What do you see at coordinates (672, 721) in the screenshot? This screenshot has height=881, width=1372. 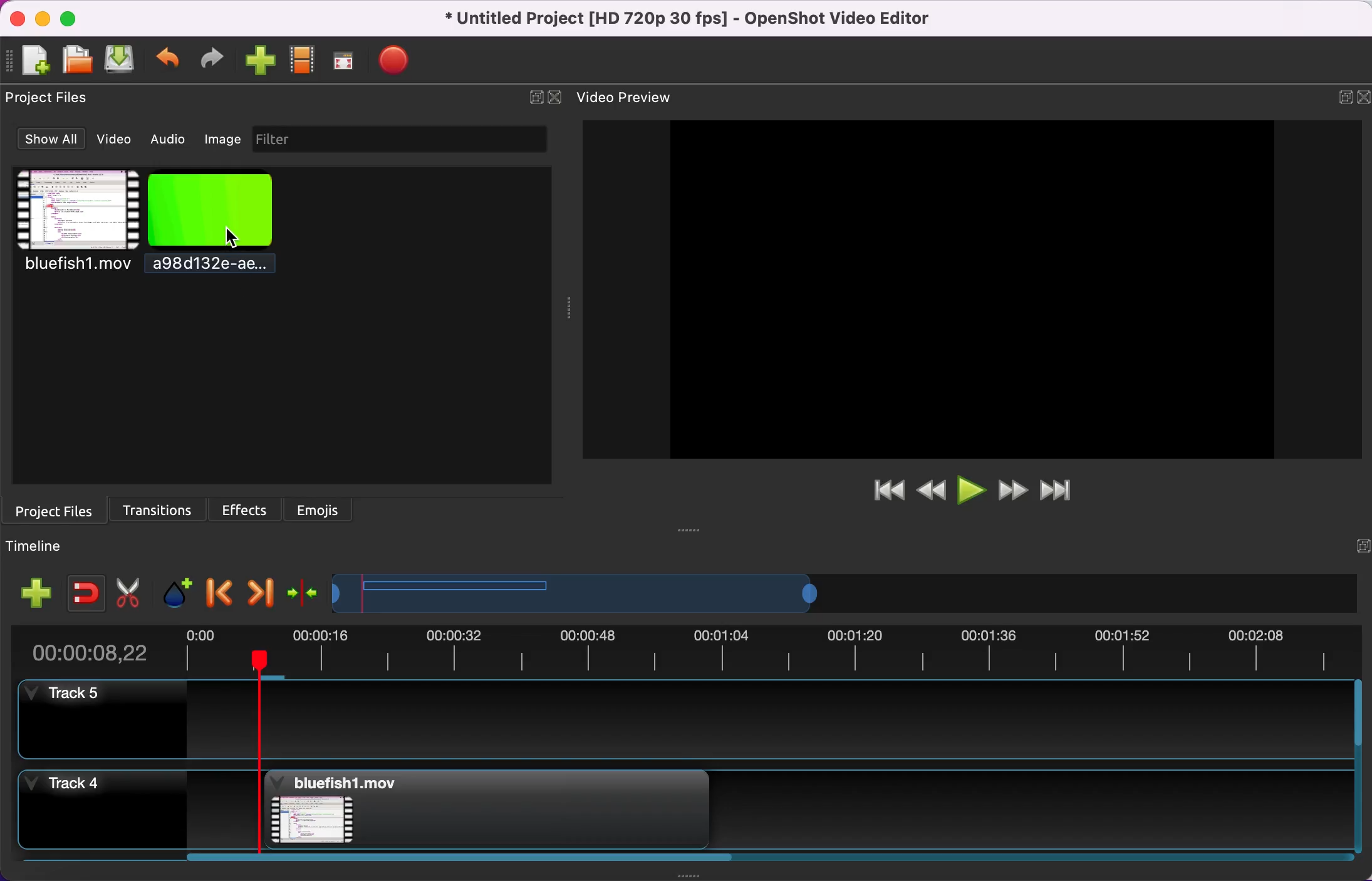 I see `track 5` at bounding box center [672, 721].